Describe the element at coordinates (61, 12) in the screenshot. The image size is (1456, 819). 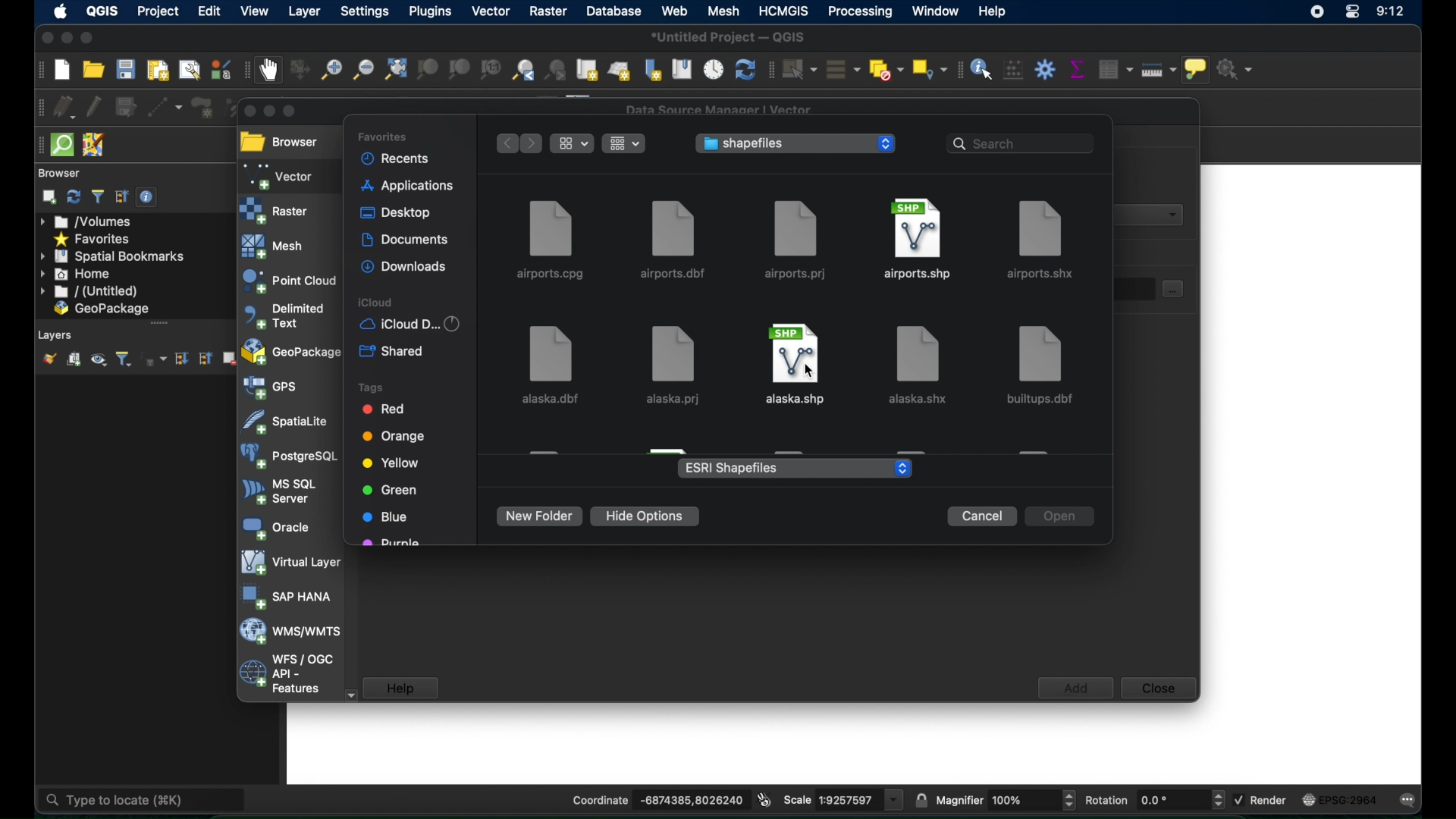
I see `appleicon` at that location.